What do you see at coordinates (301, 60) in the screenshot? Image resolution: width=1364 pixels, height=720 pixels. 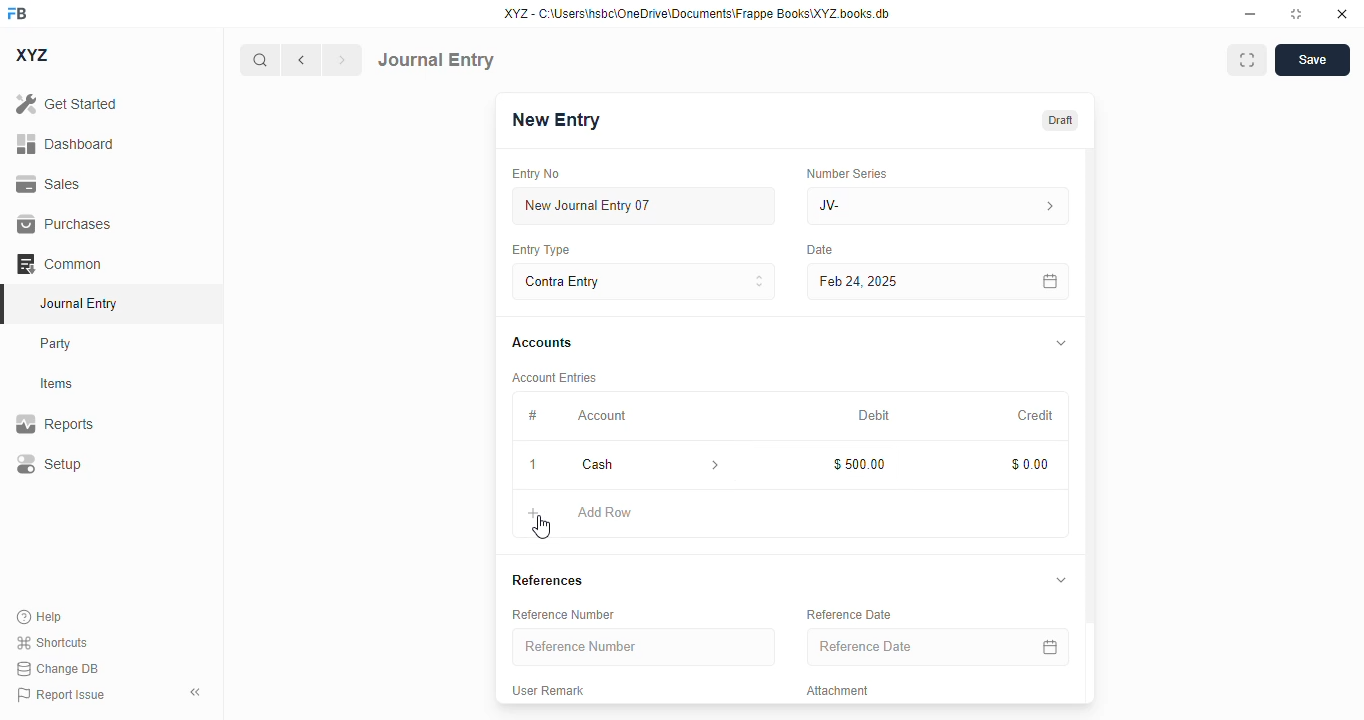 I see `previous` at bounding box center [301, 60].